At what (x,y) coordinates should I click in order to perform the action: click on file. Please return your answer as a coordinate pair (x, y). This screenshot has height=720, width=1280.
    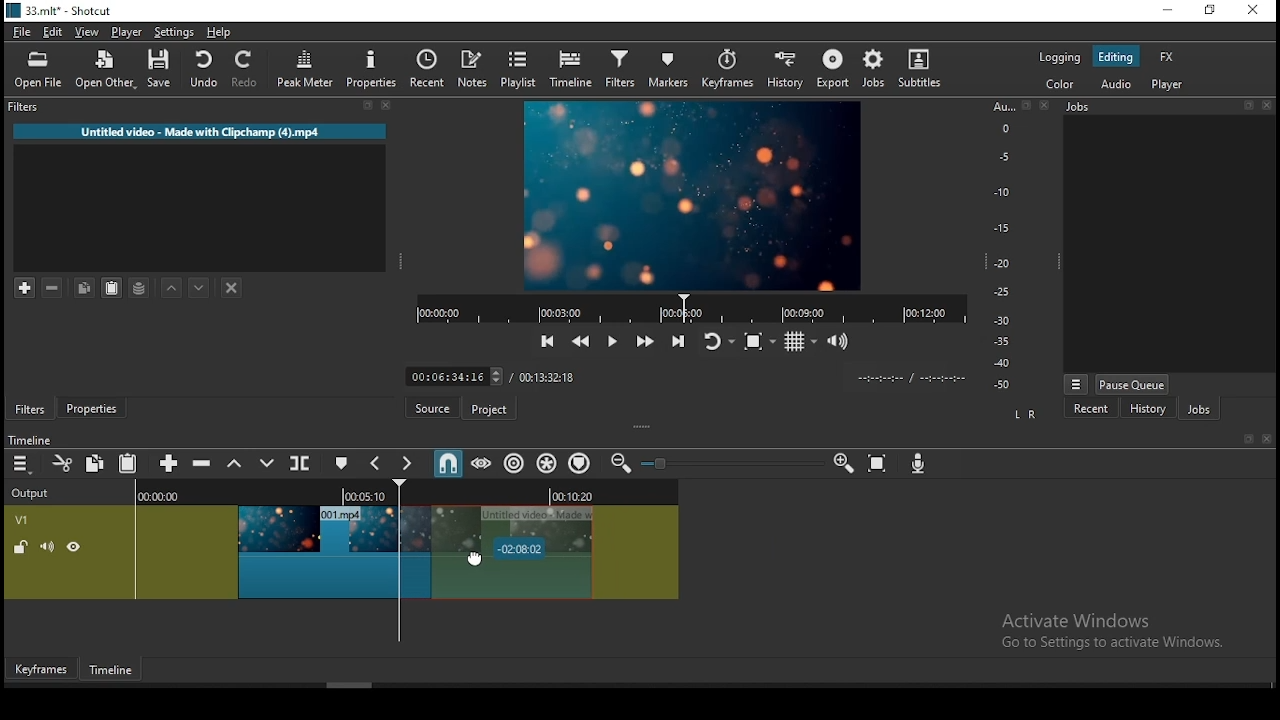
    Looking at the image, I should click on (23, 33).